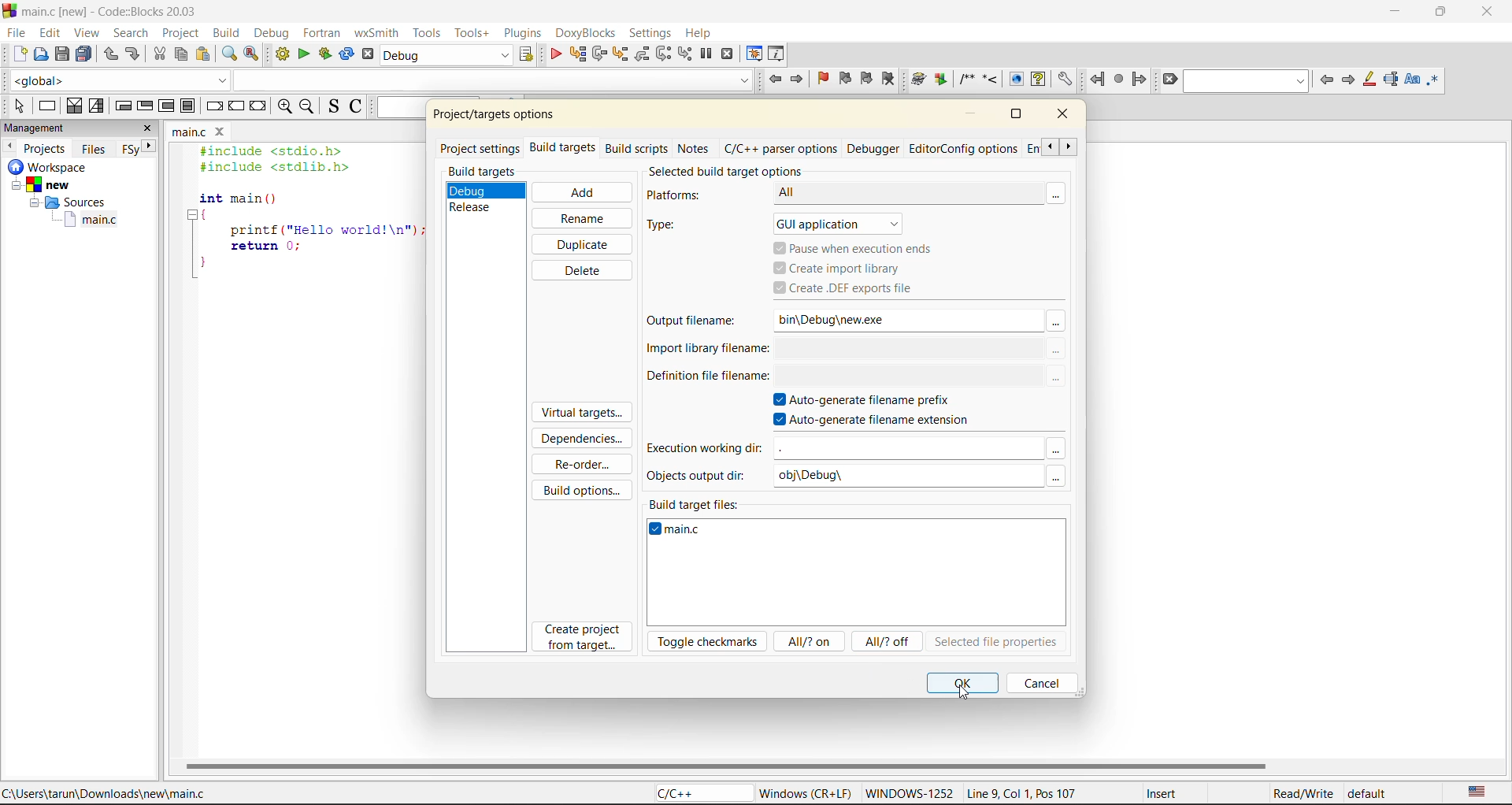  Describe the element at coordinates (168, 106) in the screenshot. I see `counting loop` at that location.